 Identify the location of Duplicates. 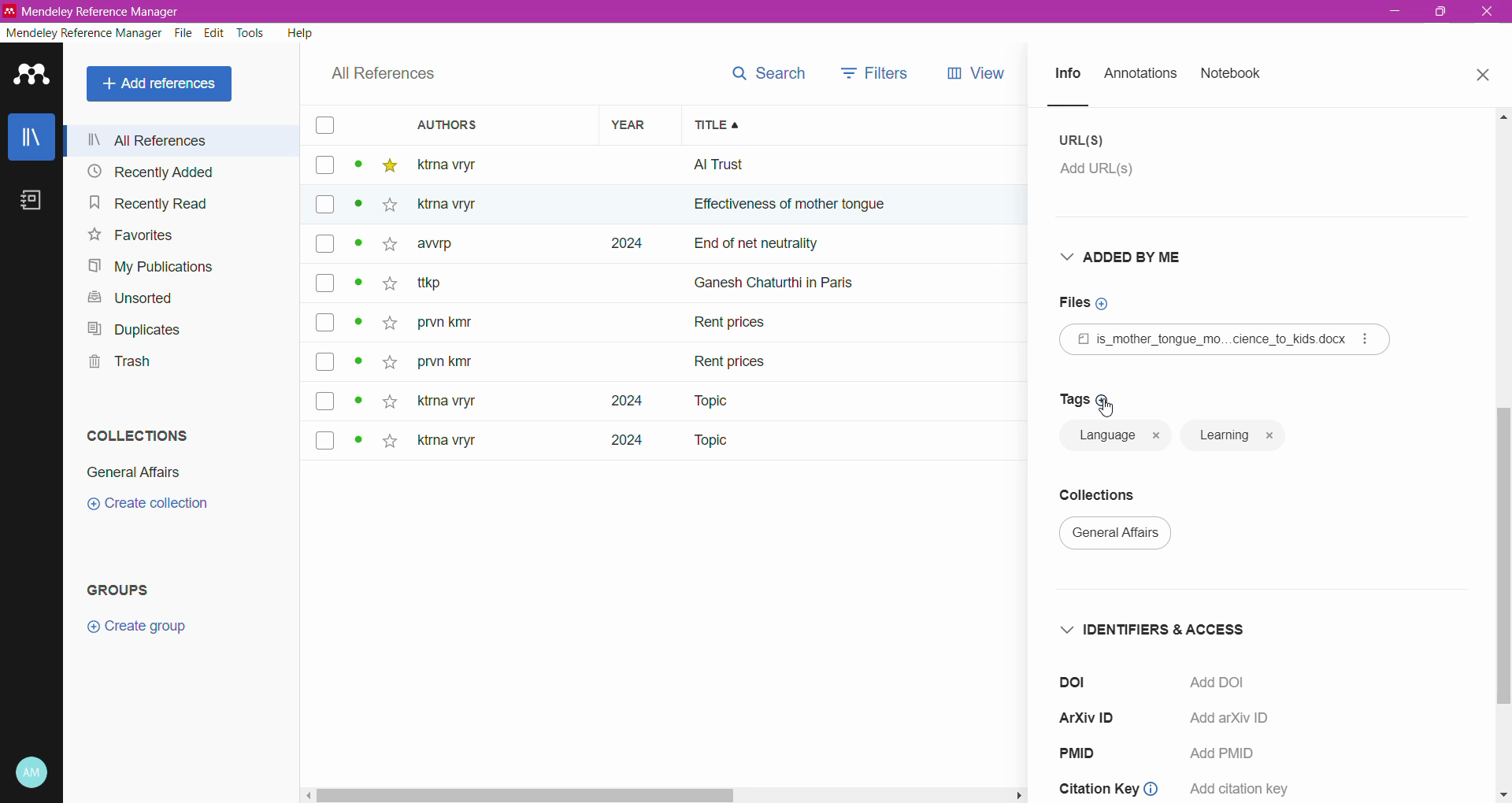
(135, 329).